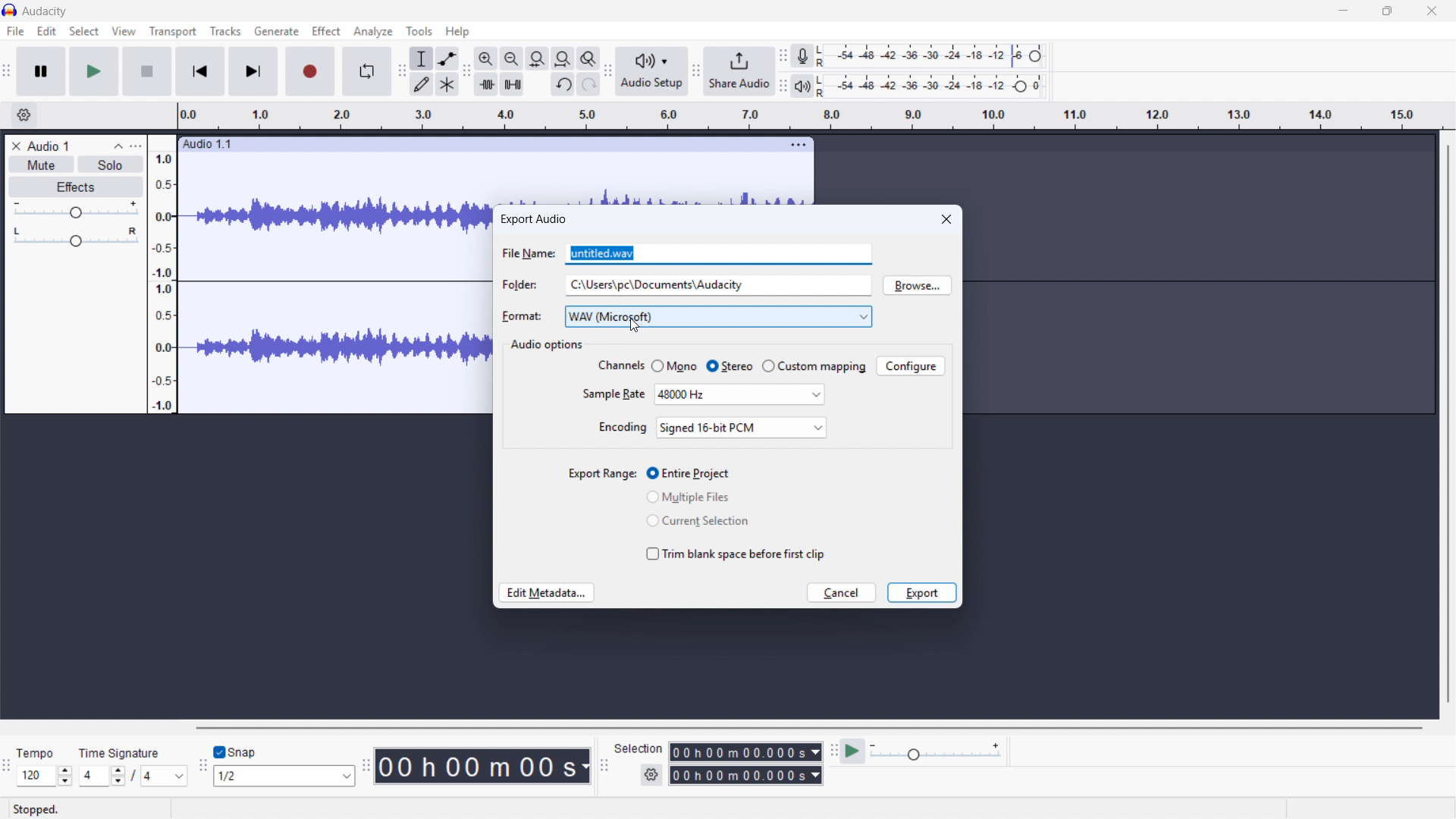 This screenshot has height=819, width=1456. What do you see at coordinates (120, 754) in the screenshot?
I see `time signature` at bounding box center [120, 754].